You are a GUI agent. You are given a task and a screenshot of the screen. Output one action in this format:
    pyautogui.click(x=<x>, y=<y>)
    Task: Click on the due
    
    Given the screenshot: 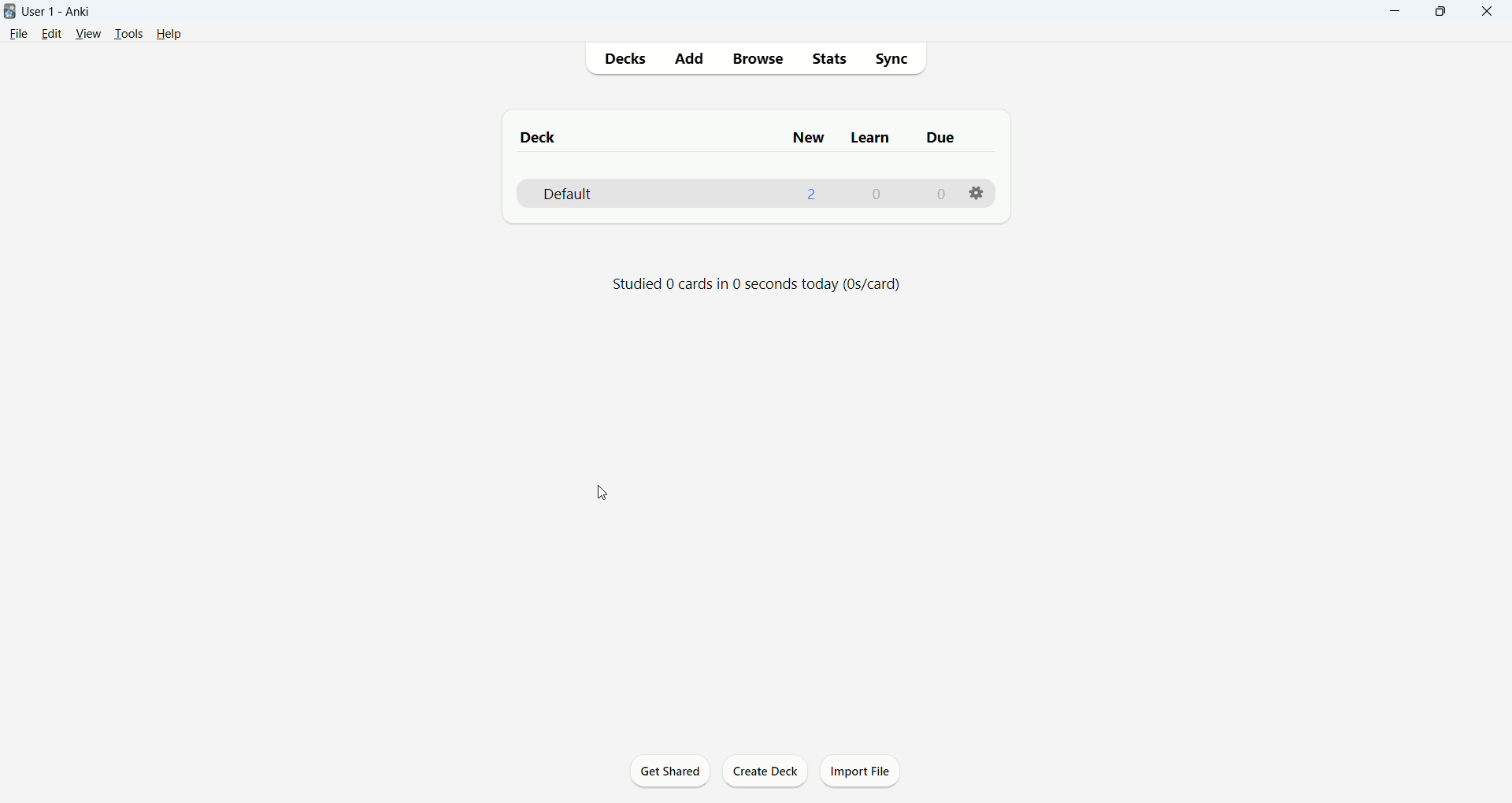 What is the action you would take?
    pyautogui.click(x=944, y=139)
    